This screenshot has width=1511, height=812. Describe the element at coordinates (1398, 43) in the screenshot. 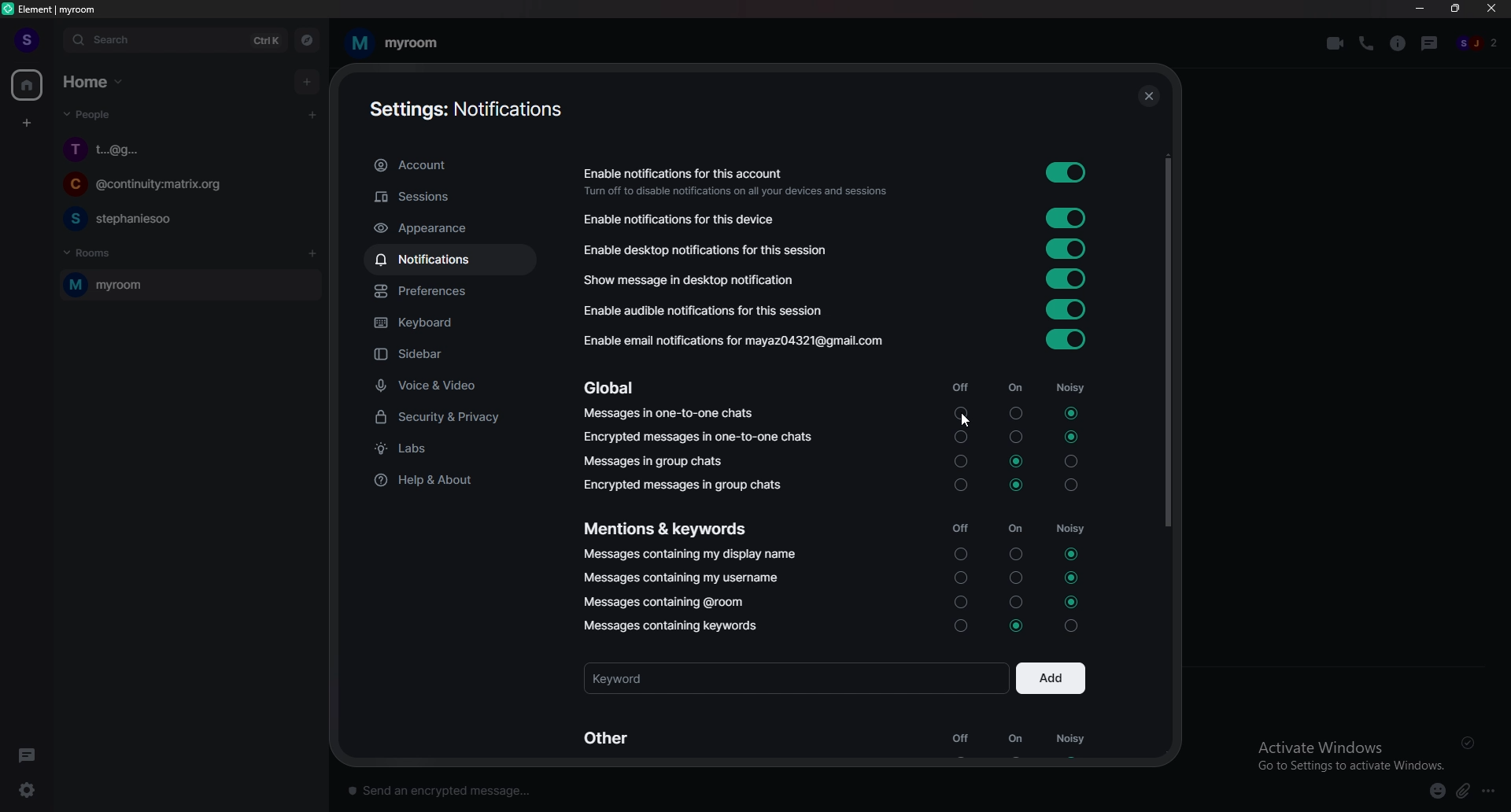

I see `room info` at that location.